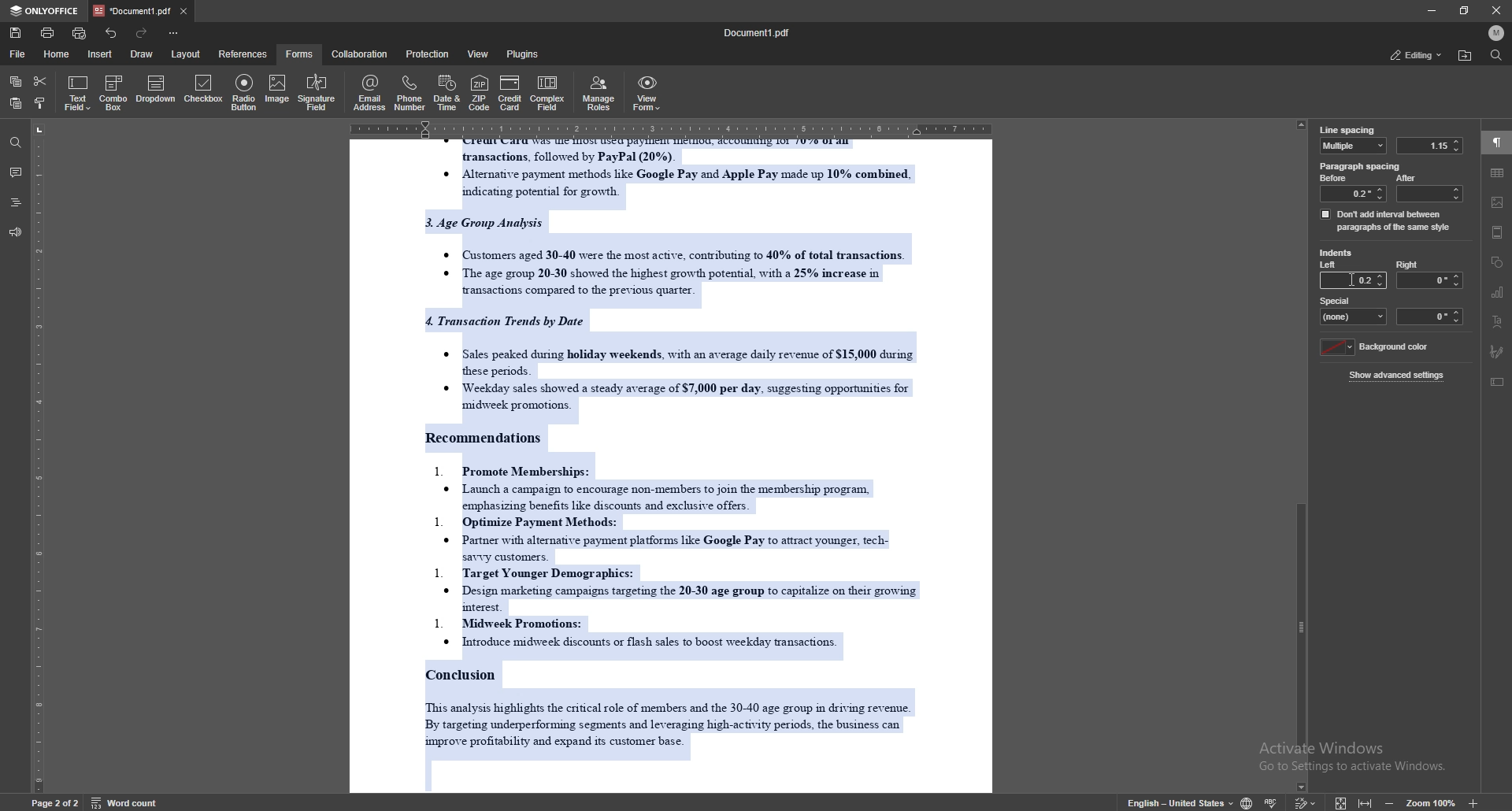 This screenshot has width=1512, height=811. Describe the element at coordinates (1399, 375) in the screenshot. I see `show advanced settings` at that location.